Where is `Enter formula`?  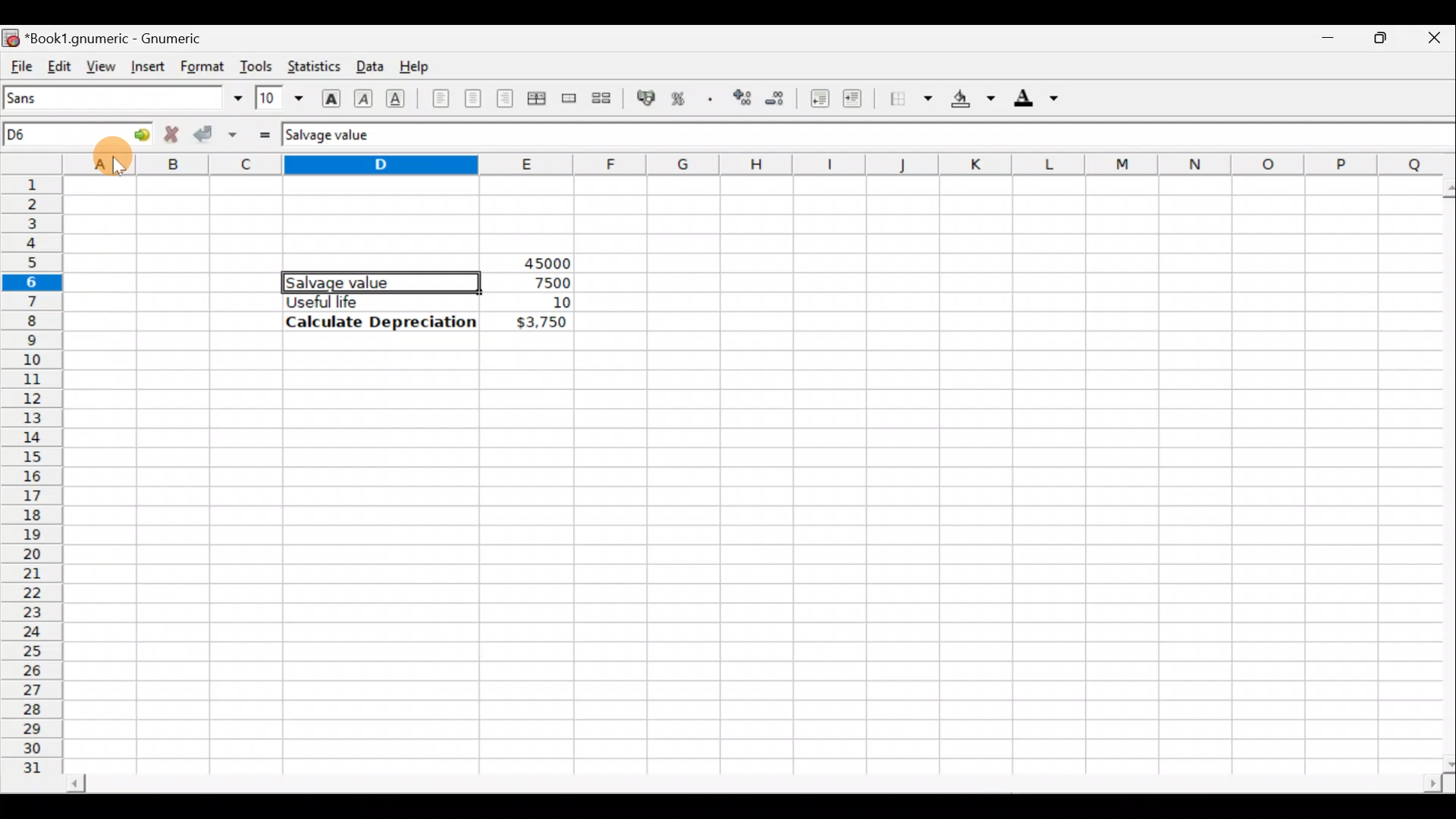 Enter formula is located at coordinates (262, 134).